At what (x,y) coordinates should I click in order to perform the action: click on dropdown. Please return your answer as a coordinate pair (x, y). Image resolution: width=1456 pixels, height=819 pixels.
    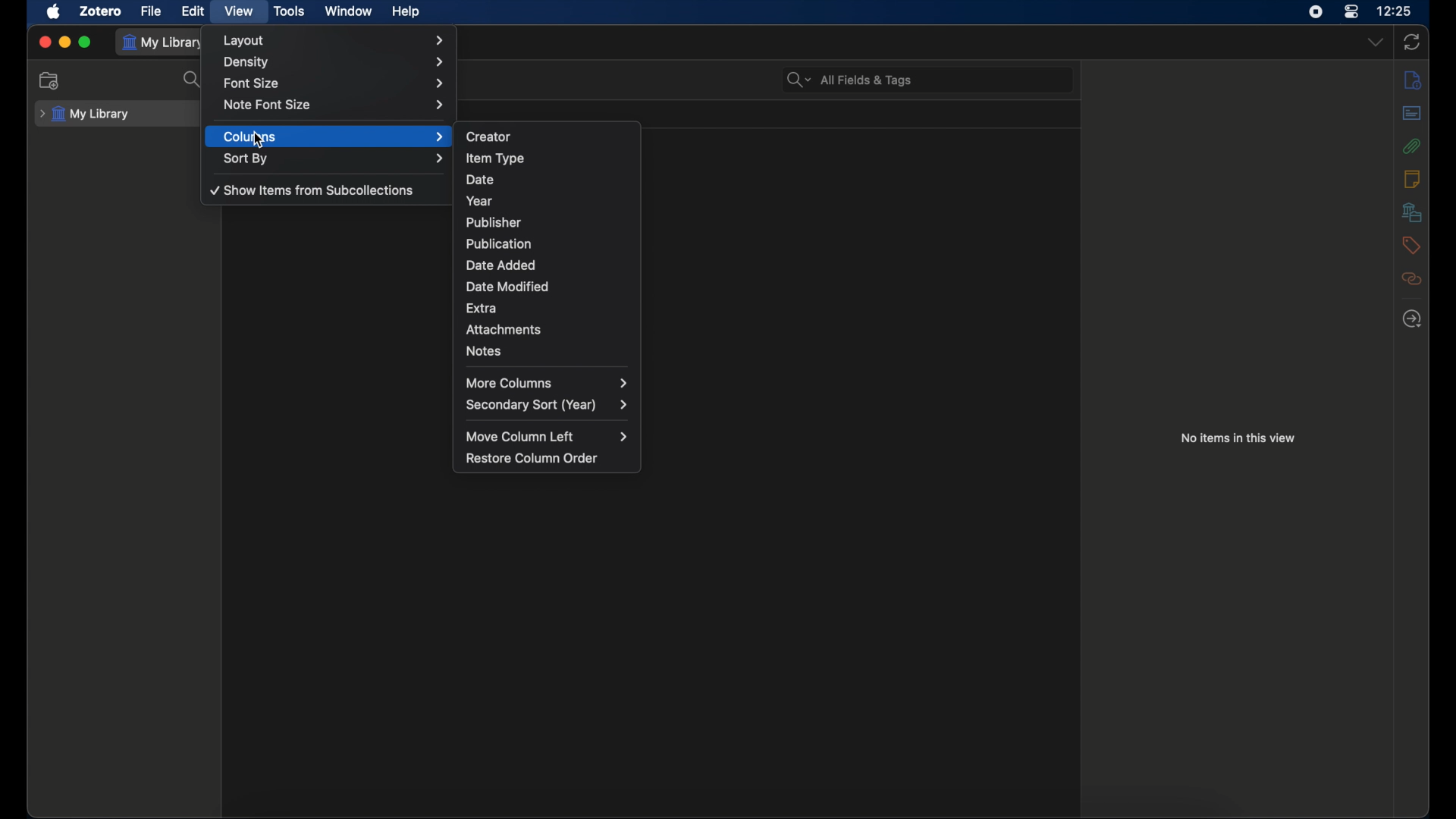
    Looking at the image, I should click on (1375, 41).